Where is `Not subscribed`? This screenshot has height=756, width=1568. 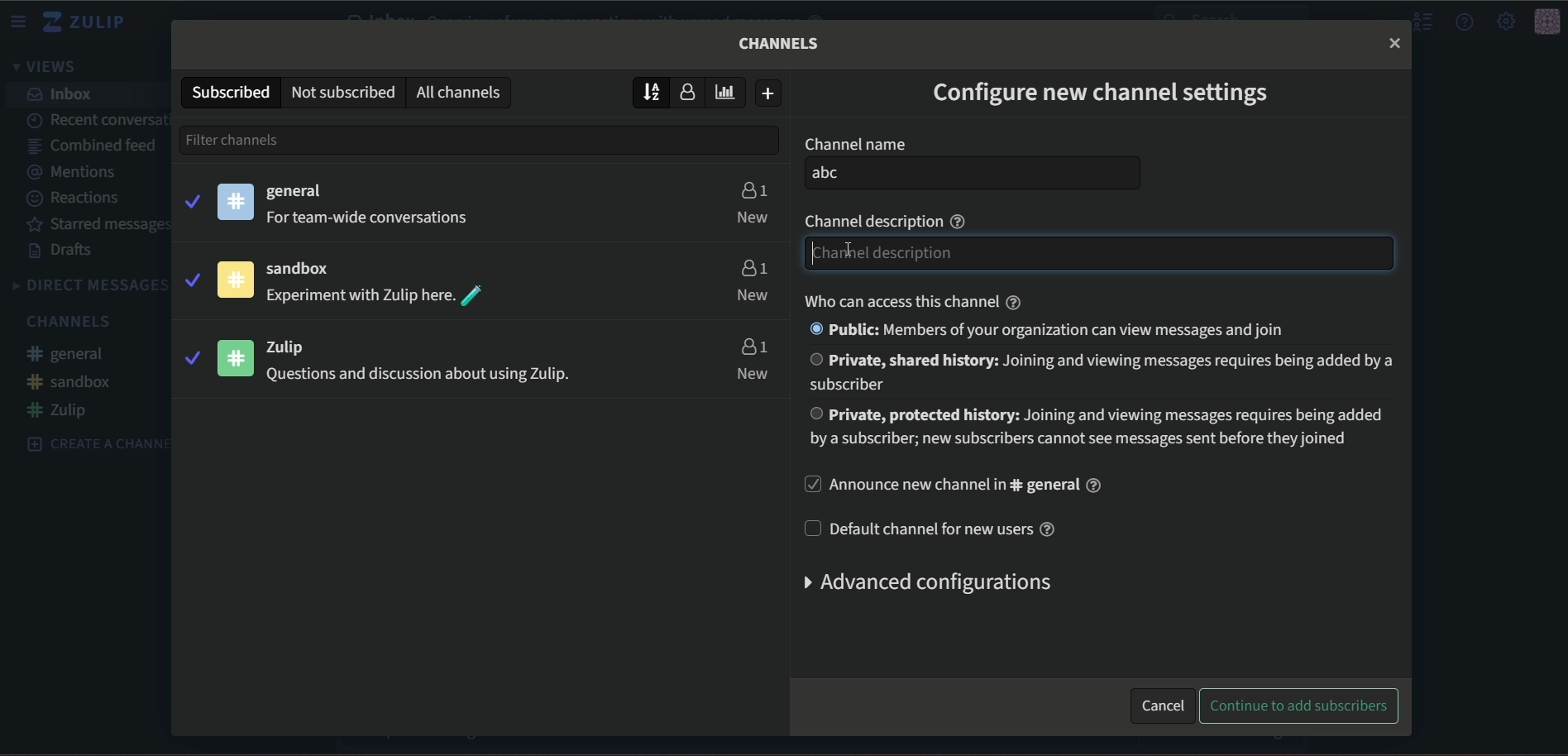
Not subscribed is located at coordinates (342, 91).